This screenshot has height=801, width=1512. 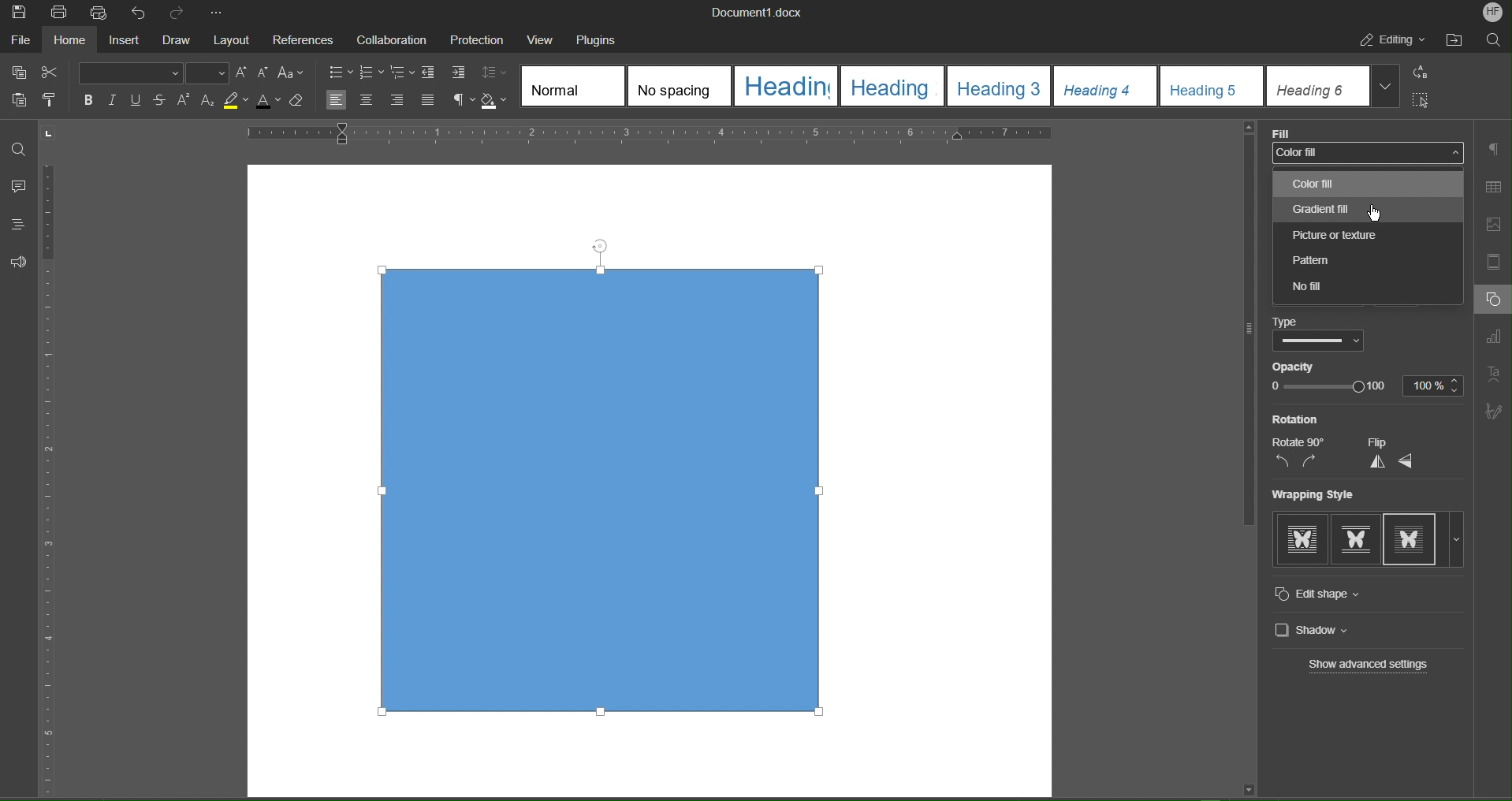 I want to click on Pattern , so click(x=1356, y=262).